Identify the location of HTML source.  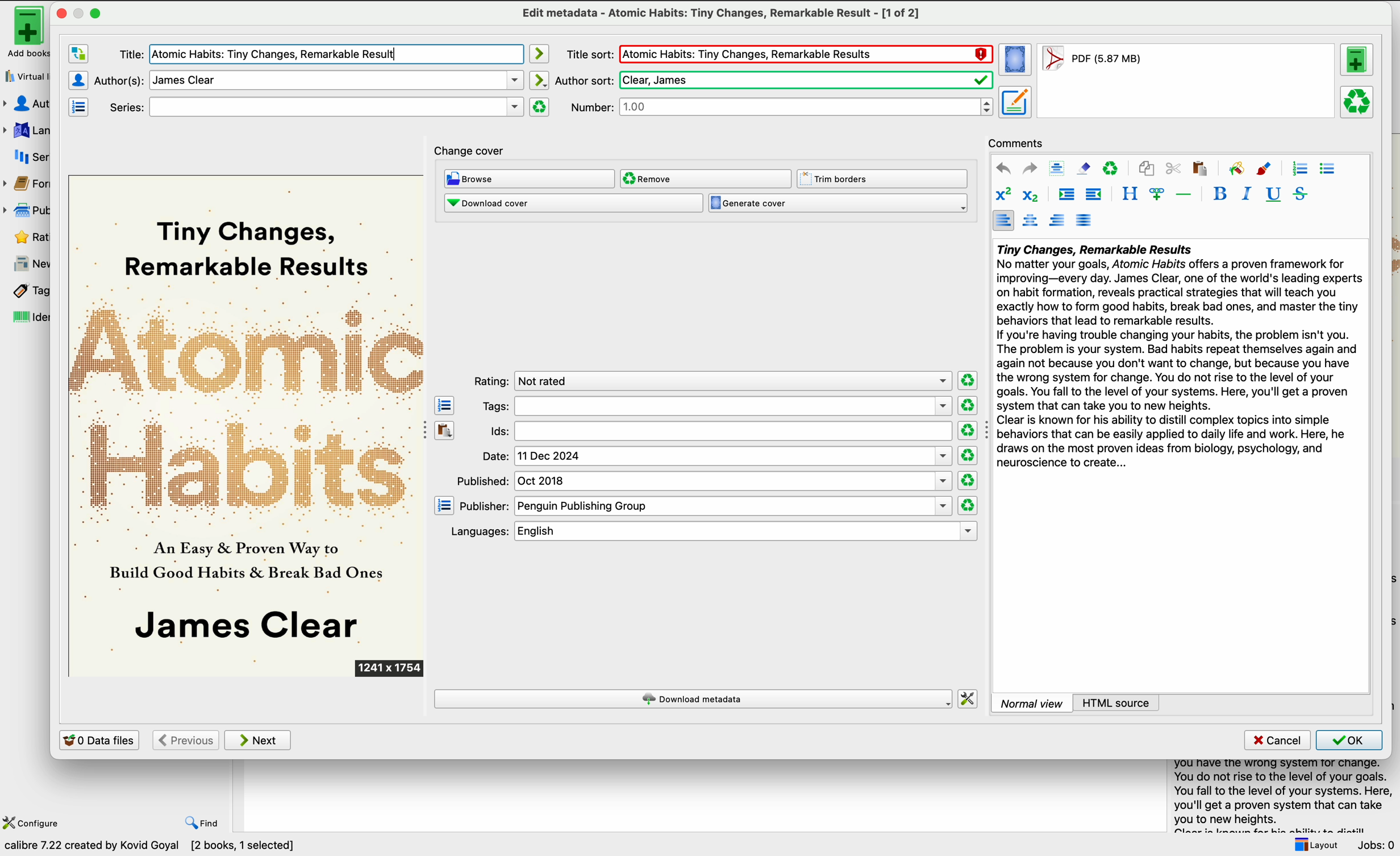
(1116, 703).